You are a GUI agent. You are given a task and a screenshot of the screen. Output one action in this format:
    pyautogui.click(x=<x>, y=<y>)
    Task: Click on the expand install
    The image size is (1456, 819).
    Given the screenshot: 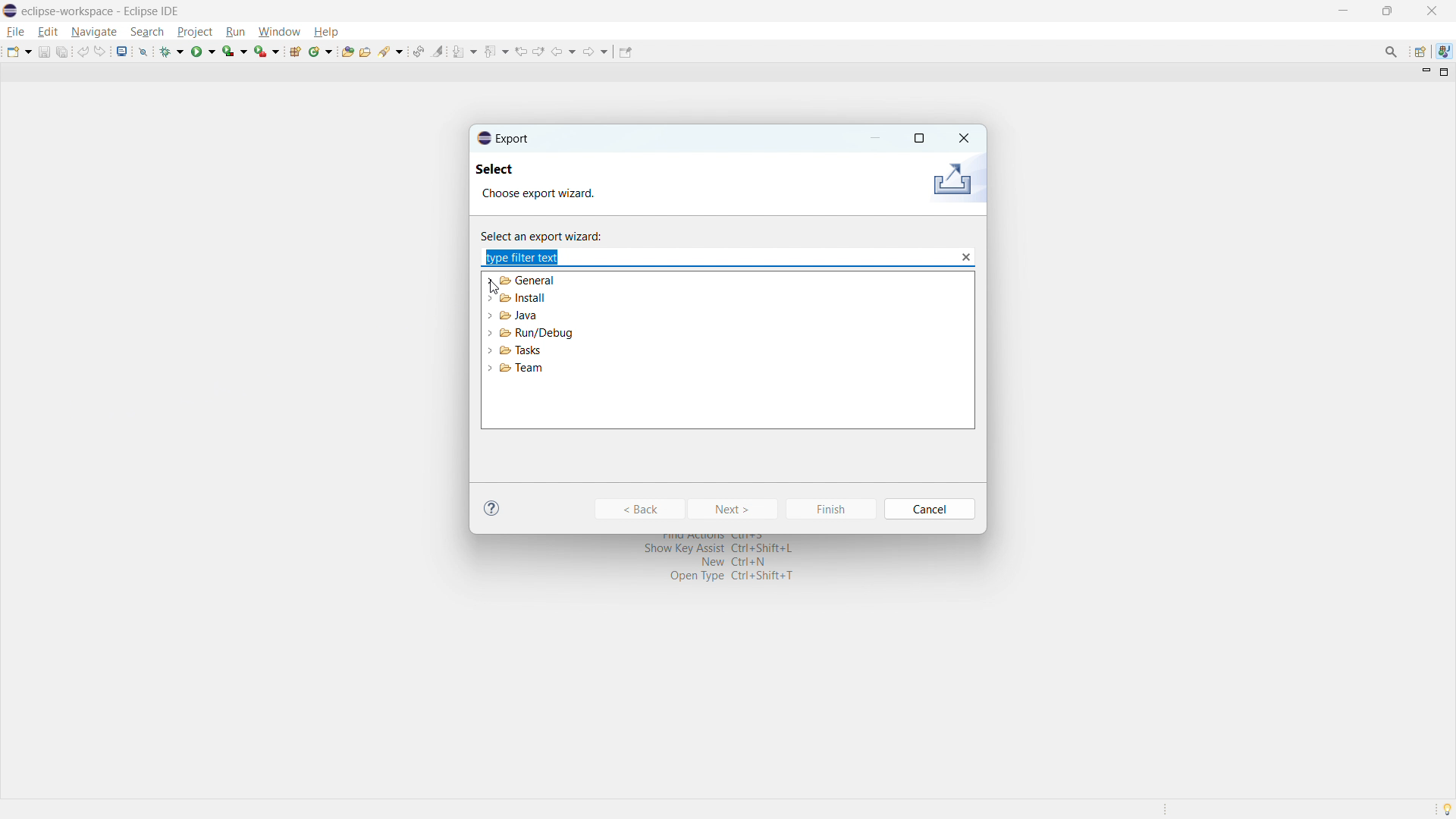 What is the action you would take?
    pyautogui.click(x=489, y=297)
    